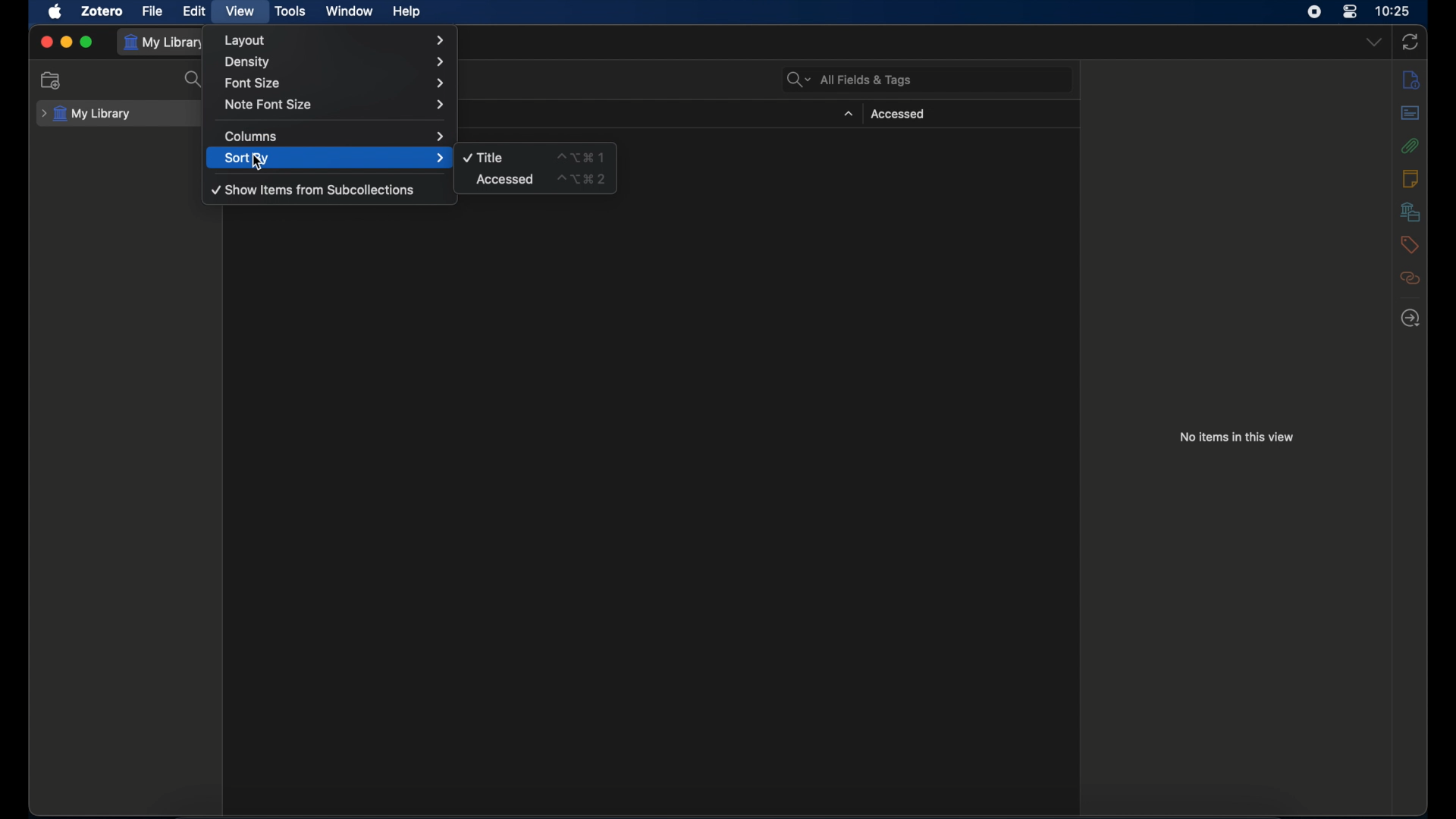  What do you see at coordinates (65, 42) in the screenshot?
I see `minimize` at bounding box center [65, 42].